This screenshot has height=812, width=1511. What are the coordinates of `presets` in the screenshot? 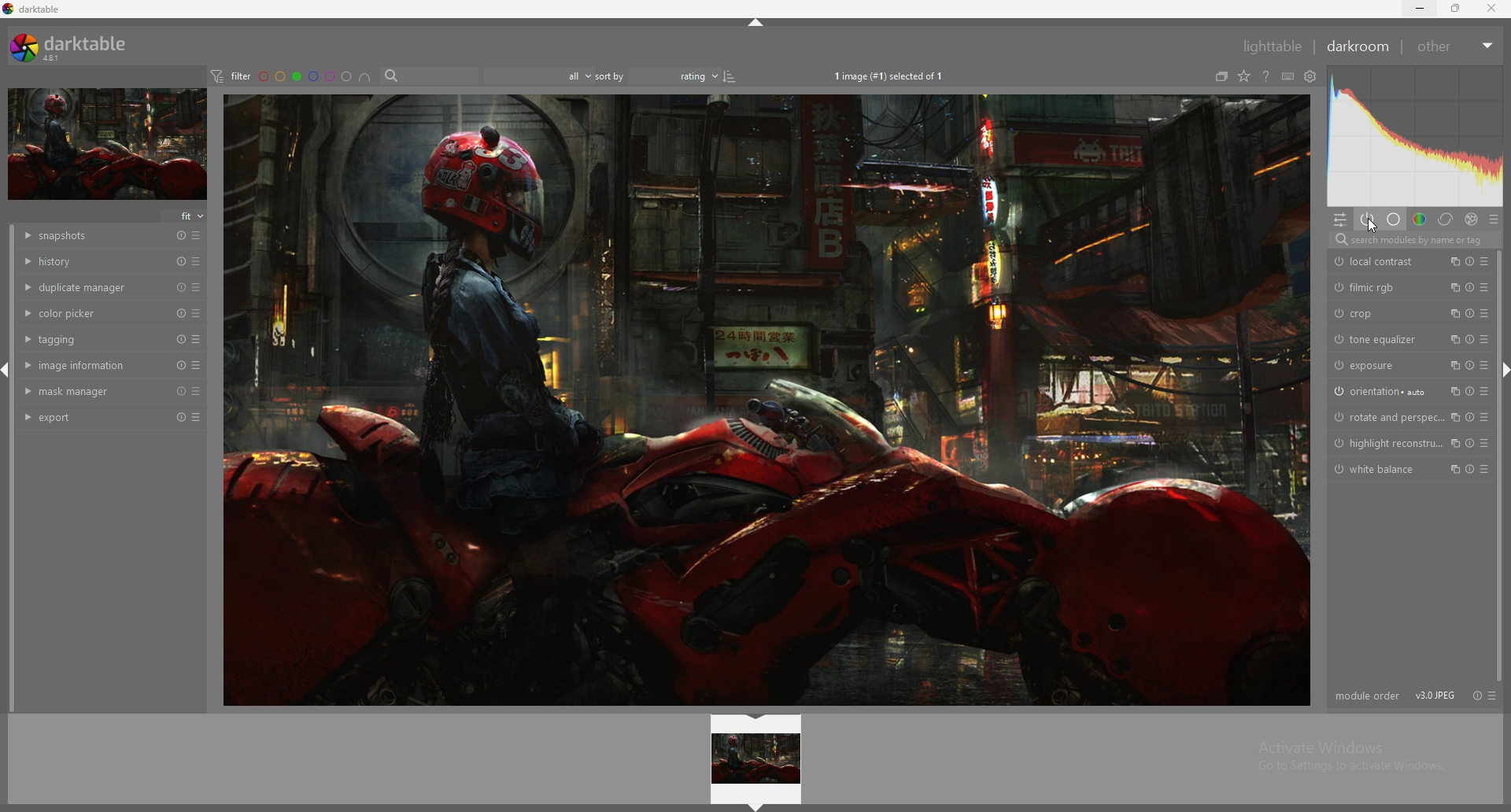 It's located at (197, 390).